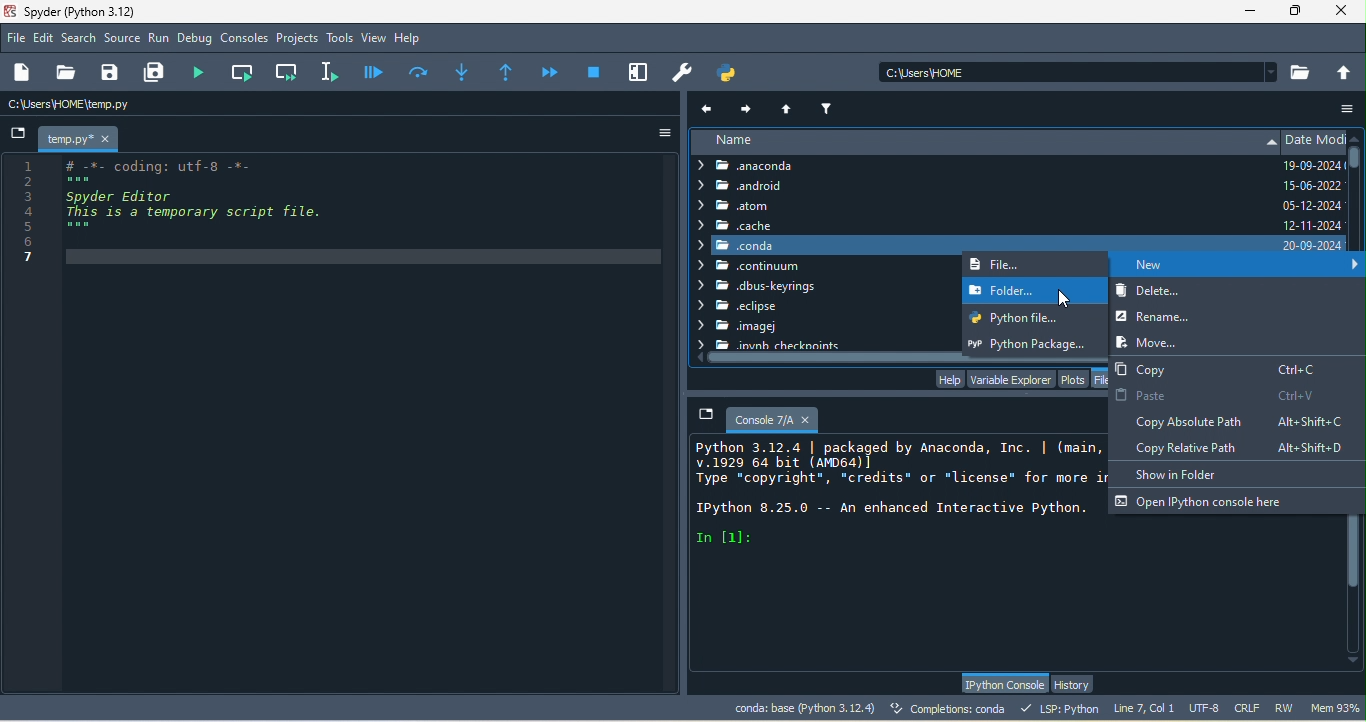 This screenshot has height=722, width=1366. I want to click on show in folder, so click(1187, 473).